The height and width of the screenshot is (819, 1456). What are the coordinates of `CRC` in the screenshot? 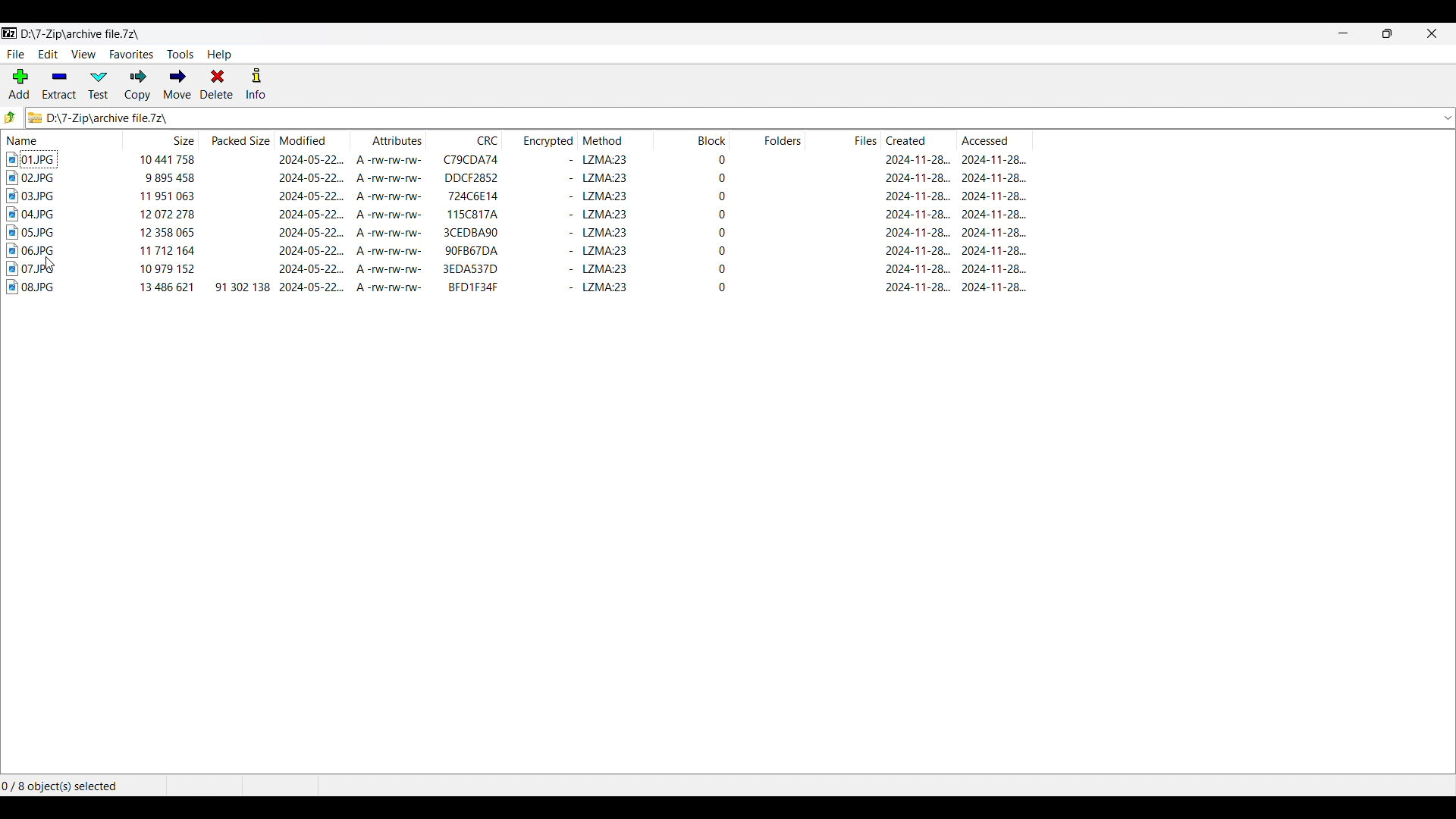 It's located at (470, 214).